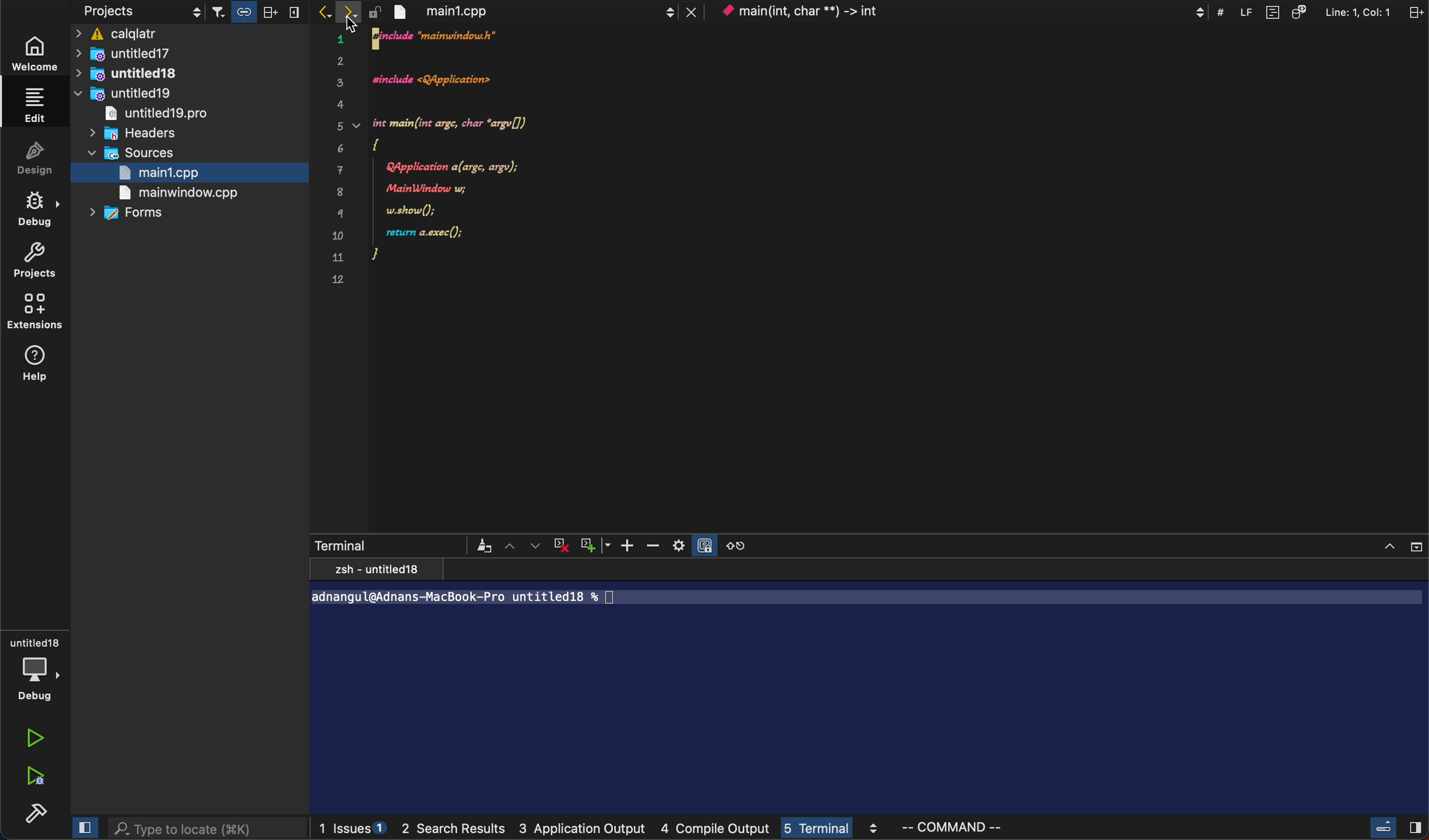 This screenshot has height=840, width=1429. Describe the element at coordinates (40, 53) in the screenshot. I see `welcome` at that location.